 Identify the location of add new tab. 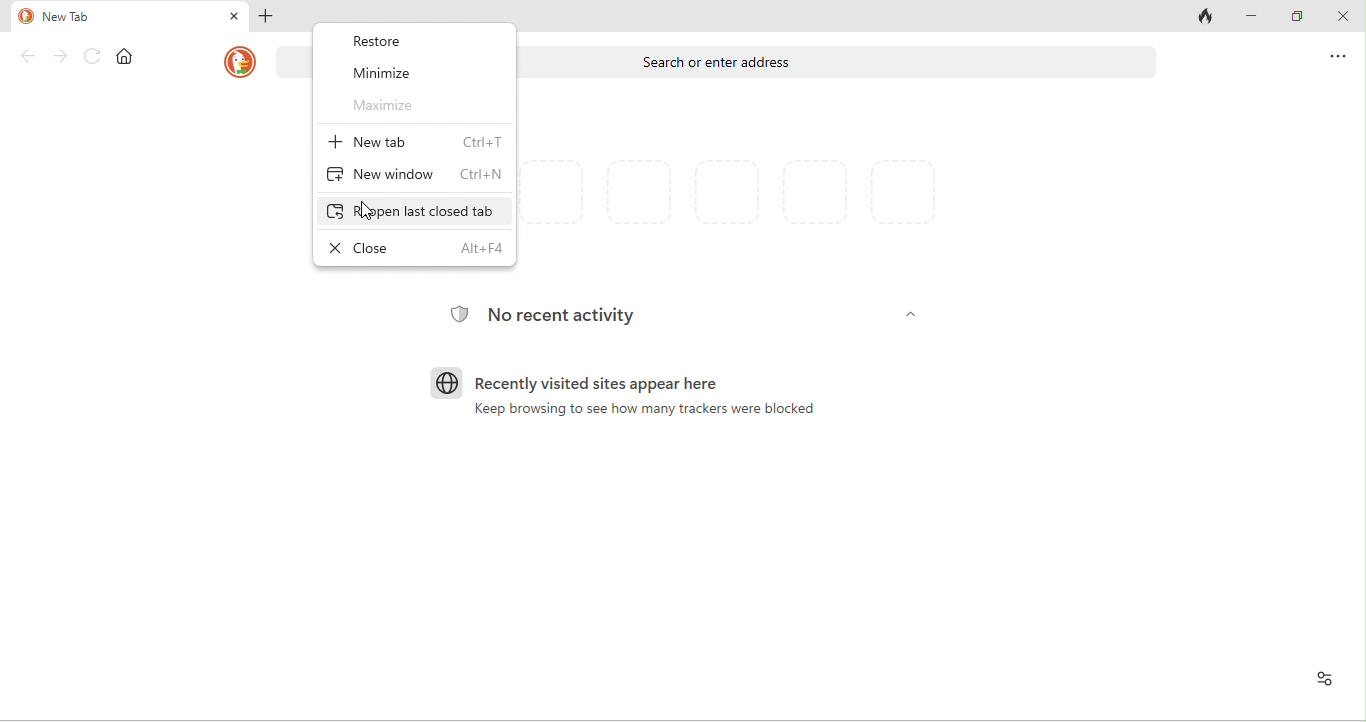
(266, 17).